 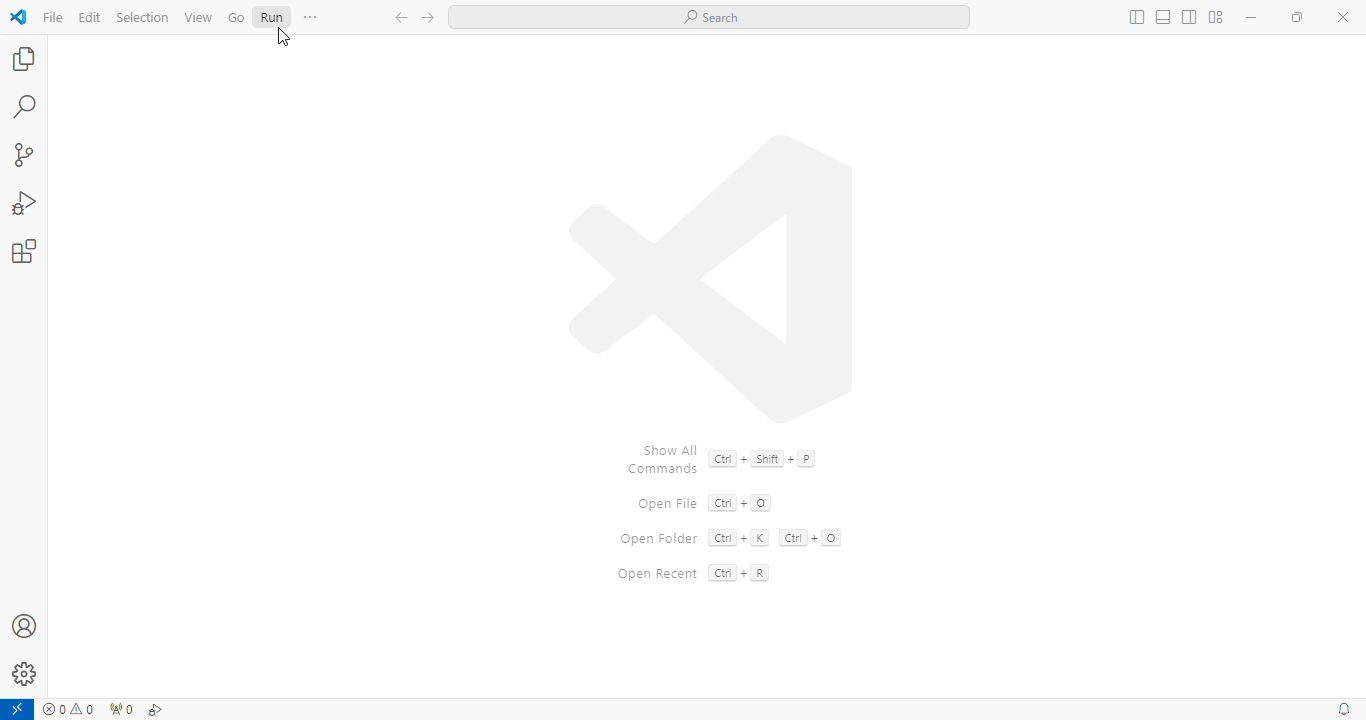 I want to click on open file, so click(x=668, y=505).